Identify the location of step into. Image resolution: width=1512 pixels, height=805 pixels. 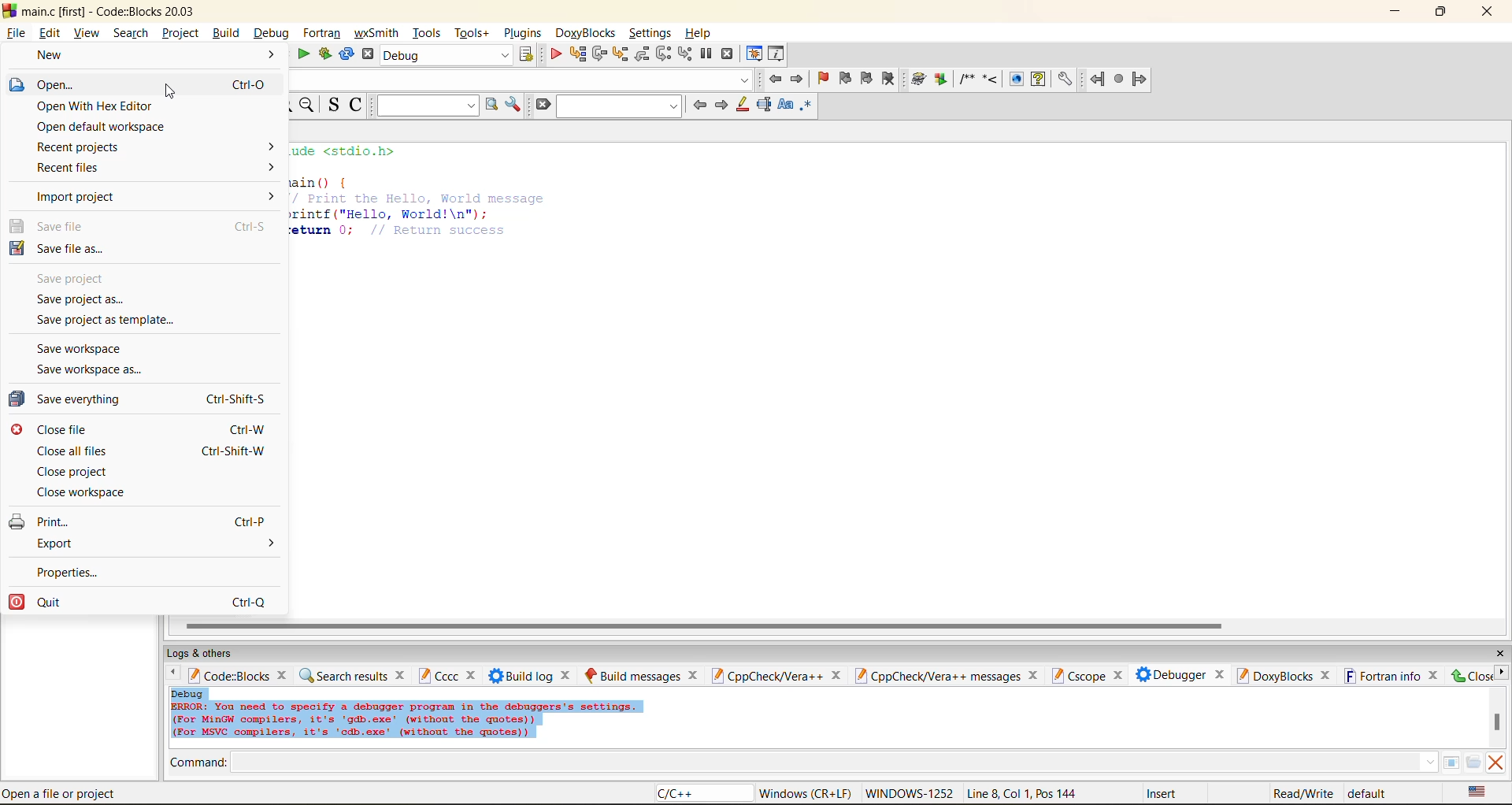
(619, 54).